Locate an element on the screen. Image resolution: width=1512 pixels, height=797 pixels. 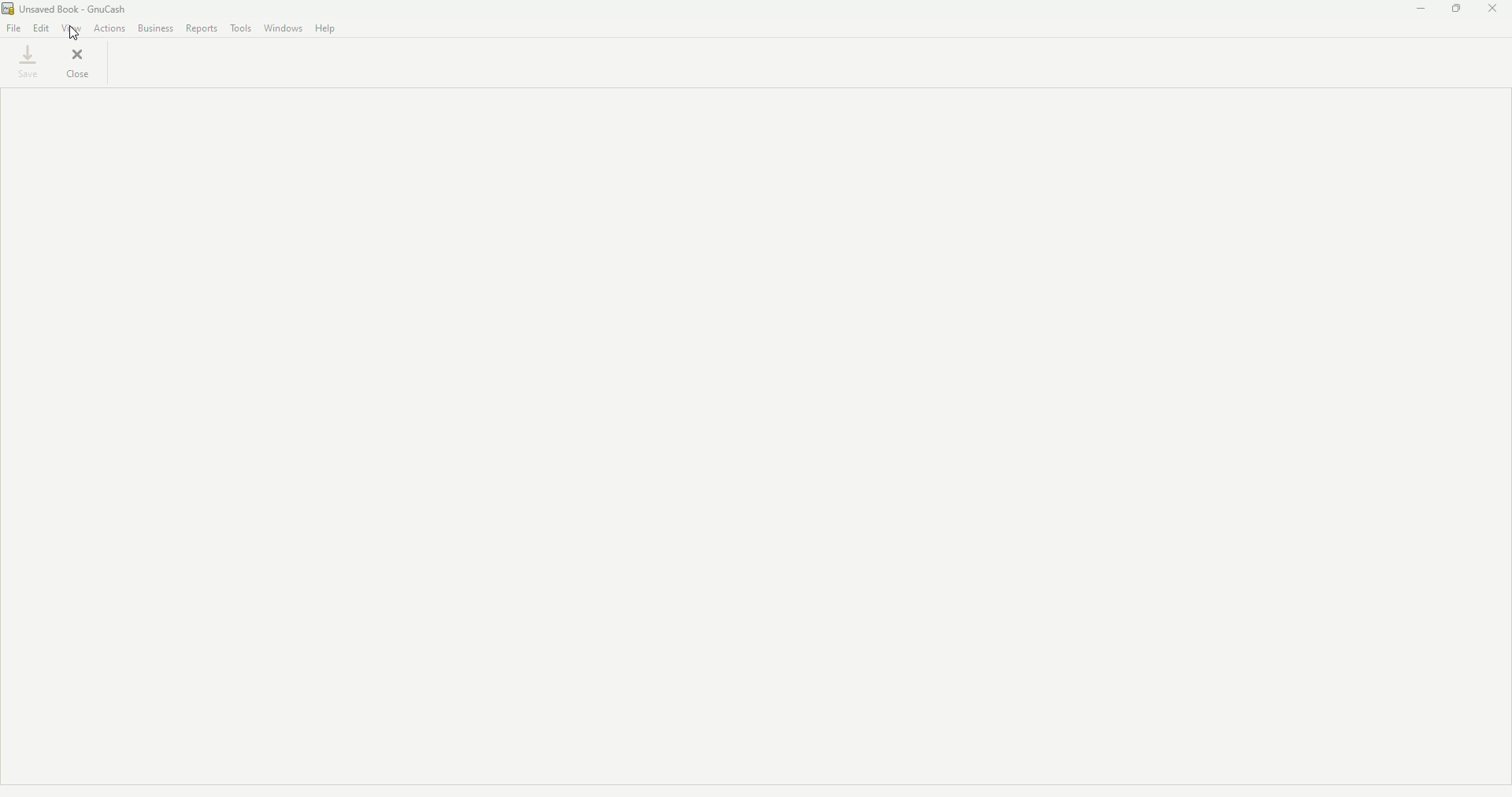
unsaved book - gnucash is located at coordinates (83, 8).